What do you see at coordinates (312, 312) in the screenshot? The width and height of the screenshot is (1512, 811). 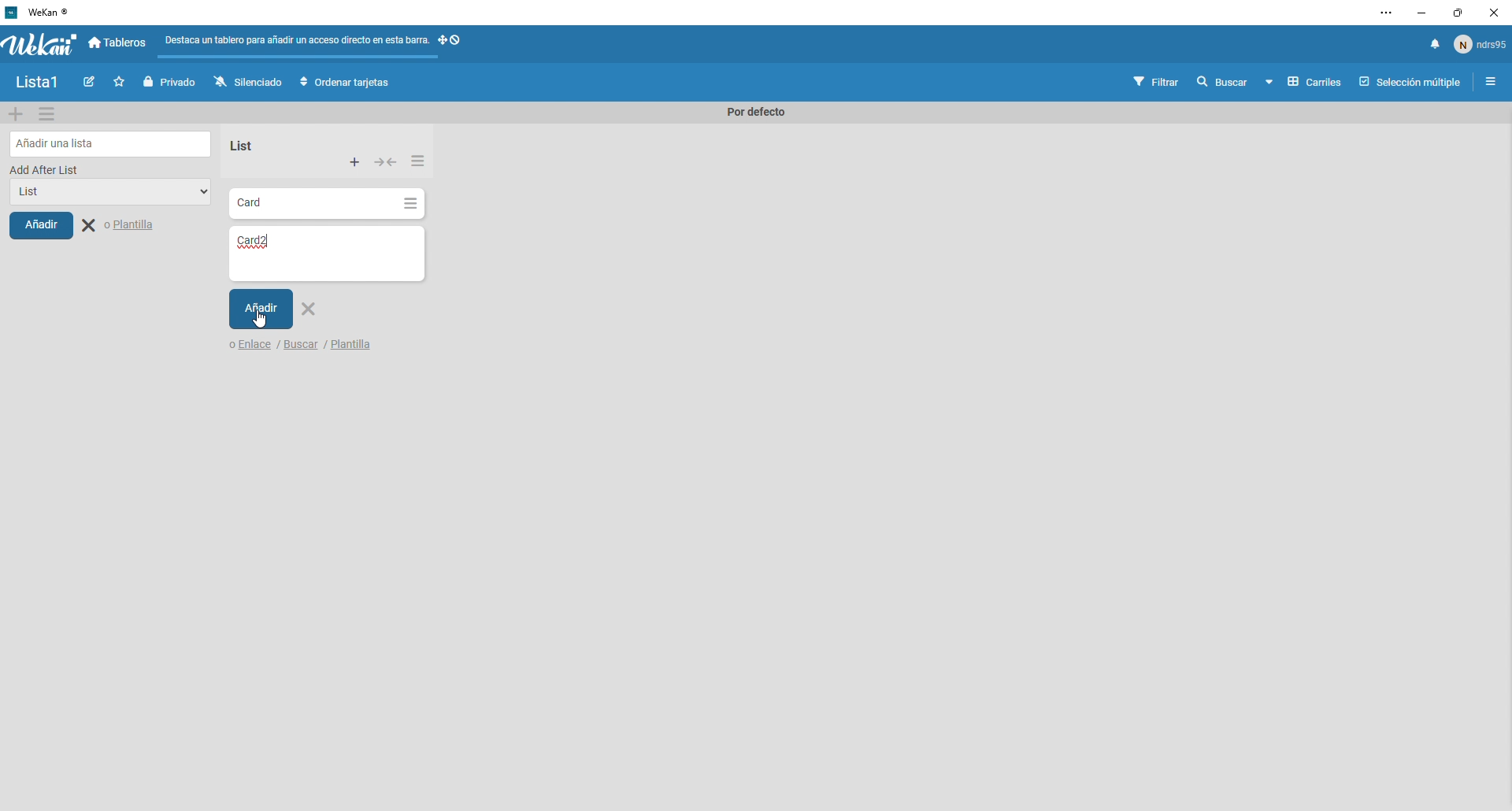 I see `Delete` at bounding box center [312, 312].